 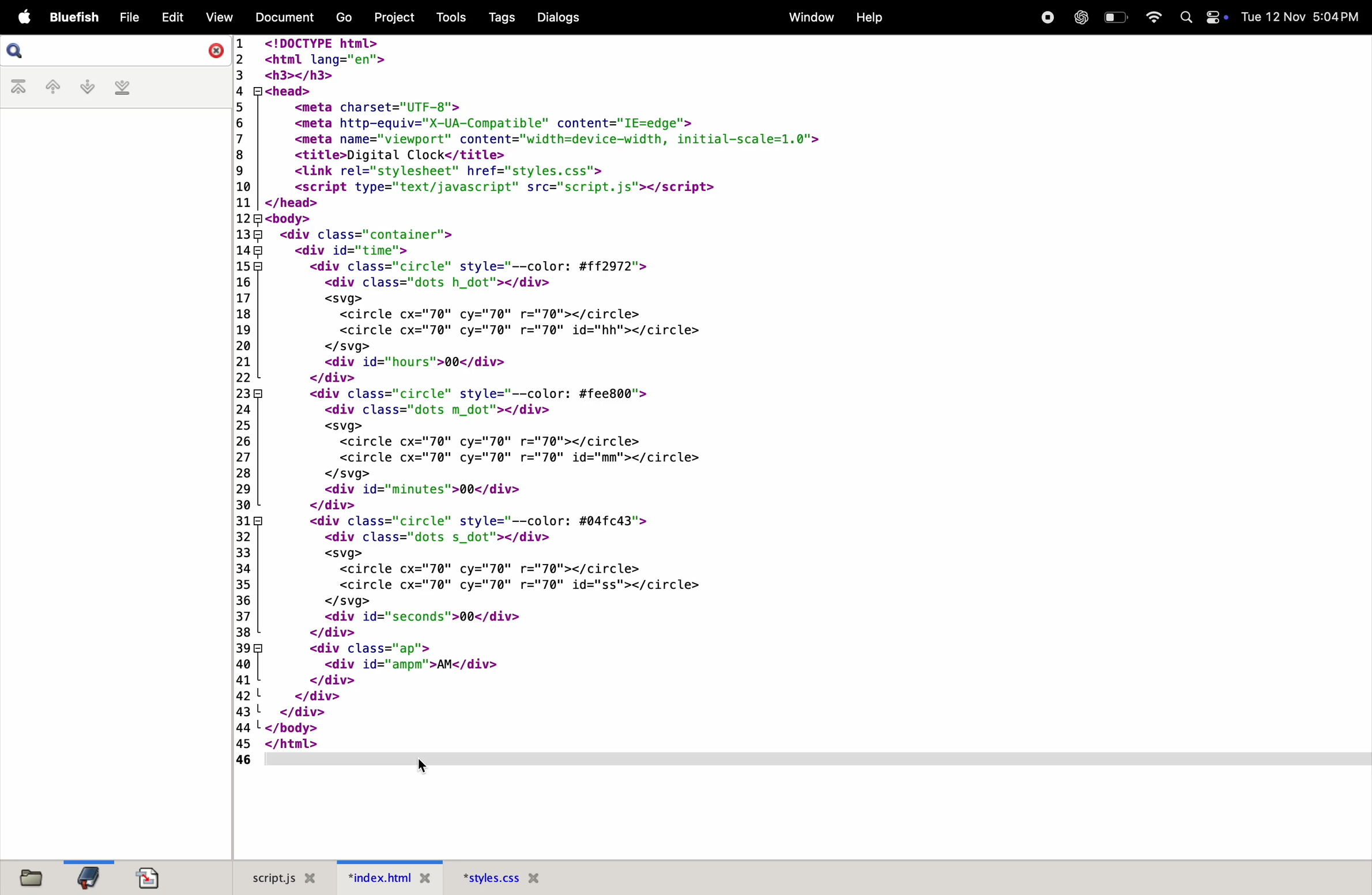 I want to click on view, so click(x=218, y=16).